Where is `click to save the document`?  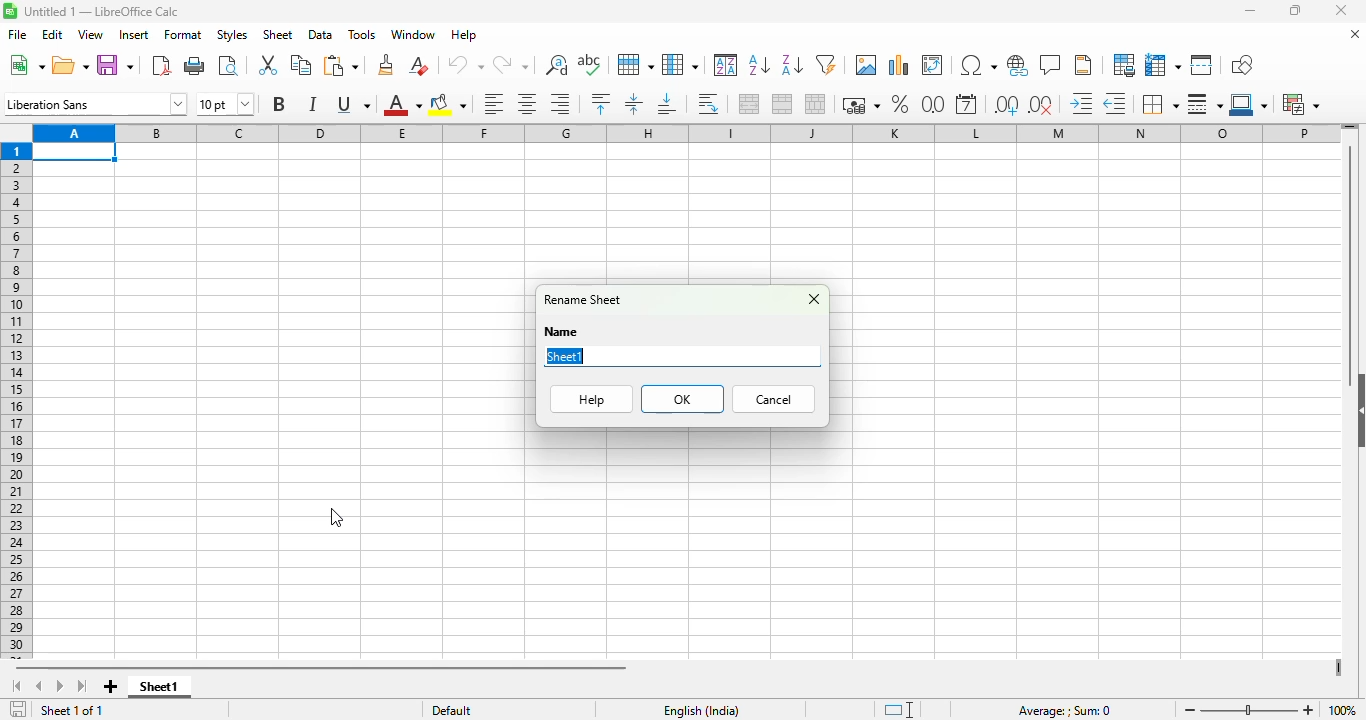
click to save the document is located at coordinates (18, 708).